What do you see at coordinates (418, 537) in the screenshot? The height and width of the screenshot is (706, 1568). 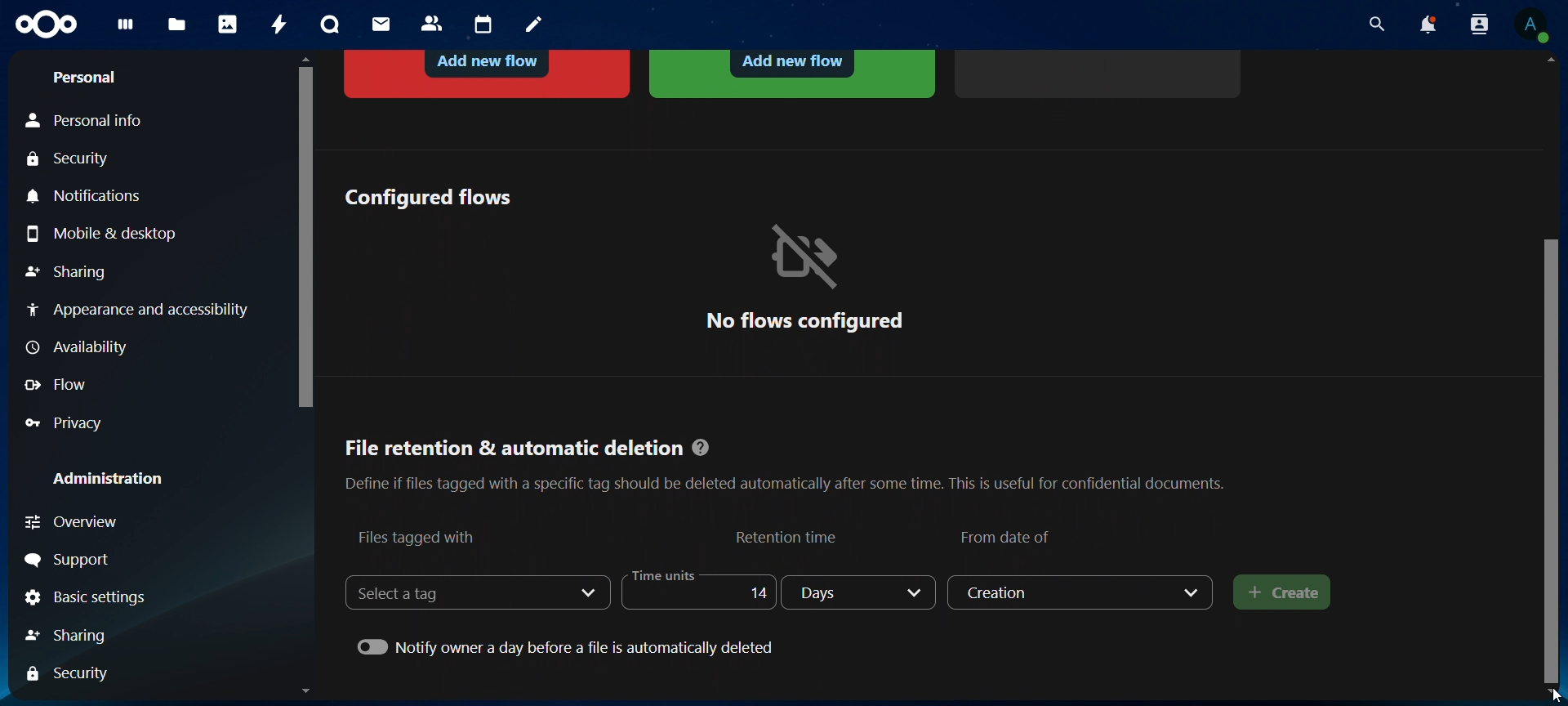 I see `files tagged with` at bounding box center [418, 537].